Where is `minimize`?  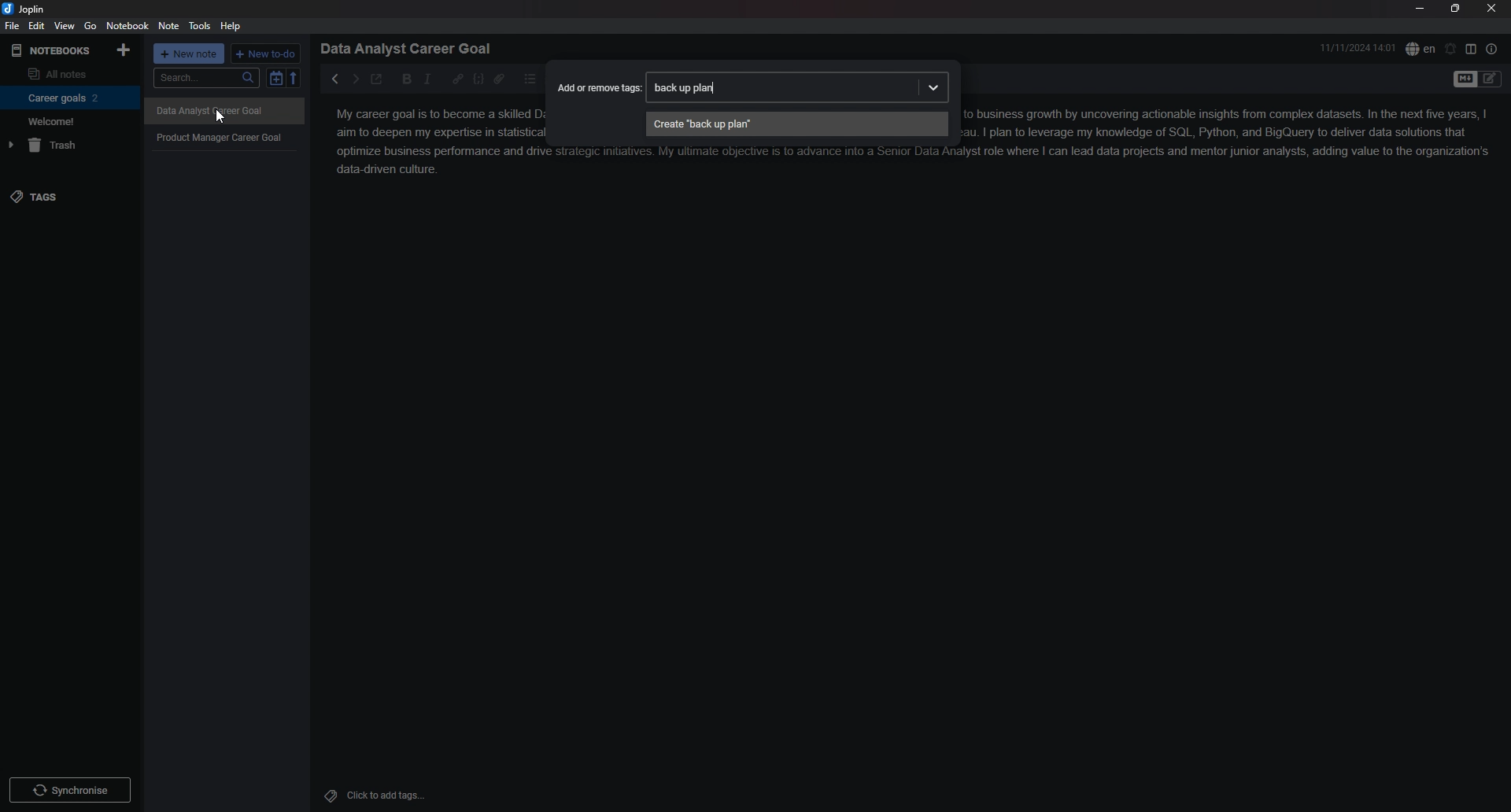
minimize is located at coordinates (1419, 8).